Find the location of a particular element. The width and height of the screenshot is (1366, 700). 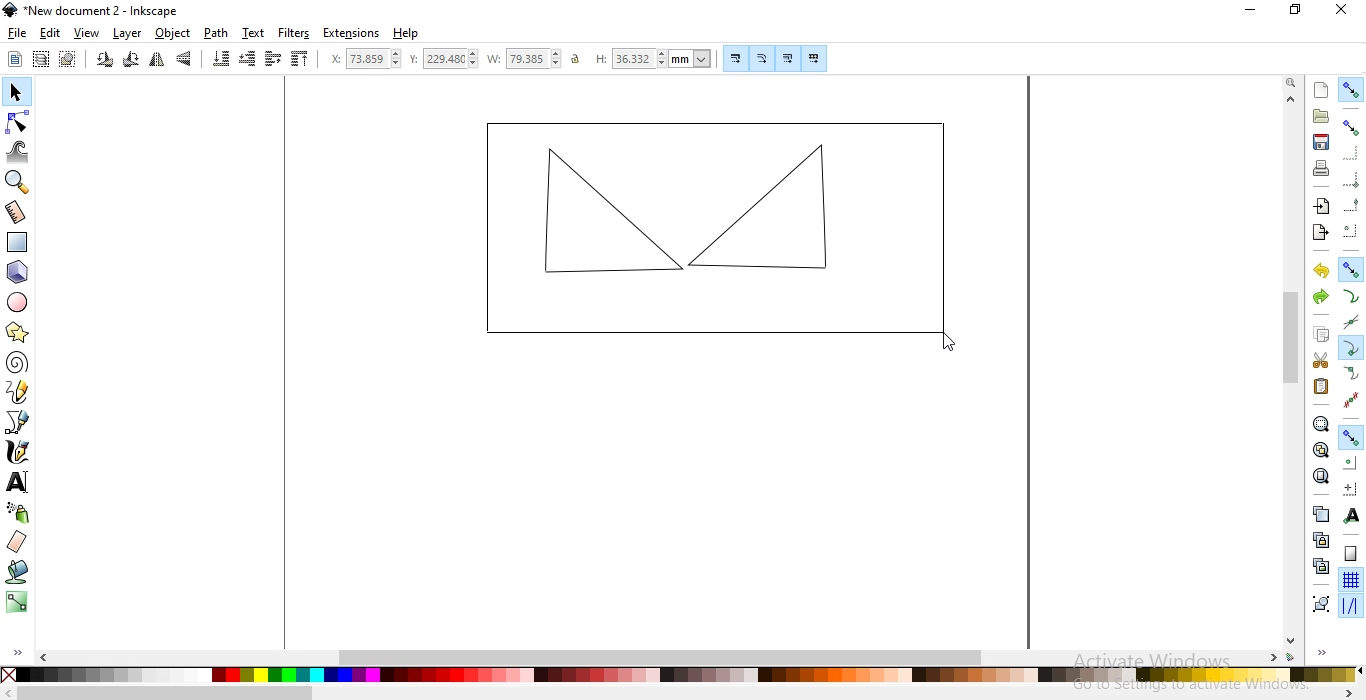

snap other points  is located at coordinates (1350, 437).